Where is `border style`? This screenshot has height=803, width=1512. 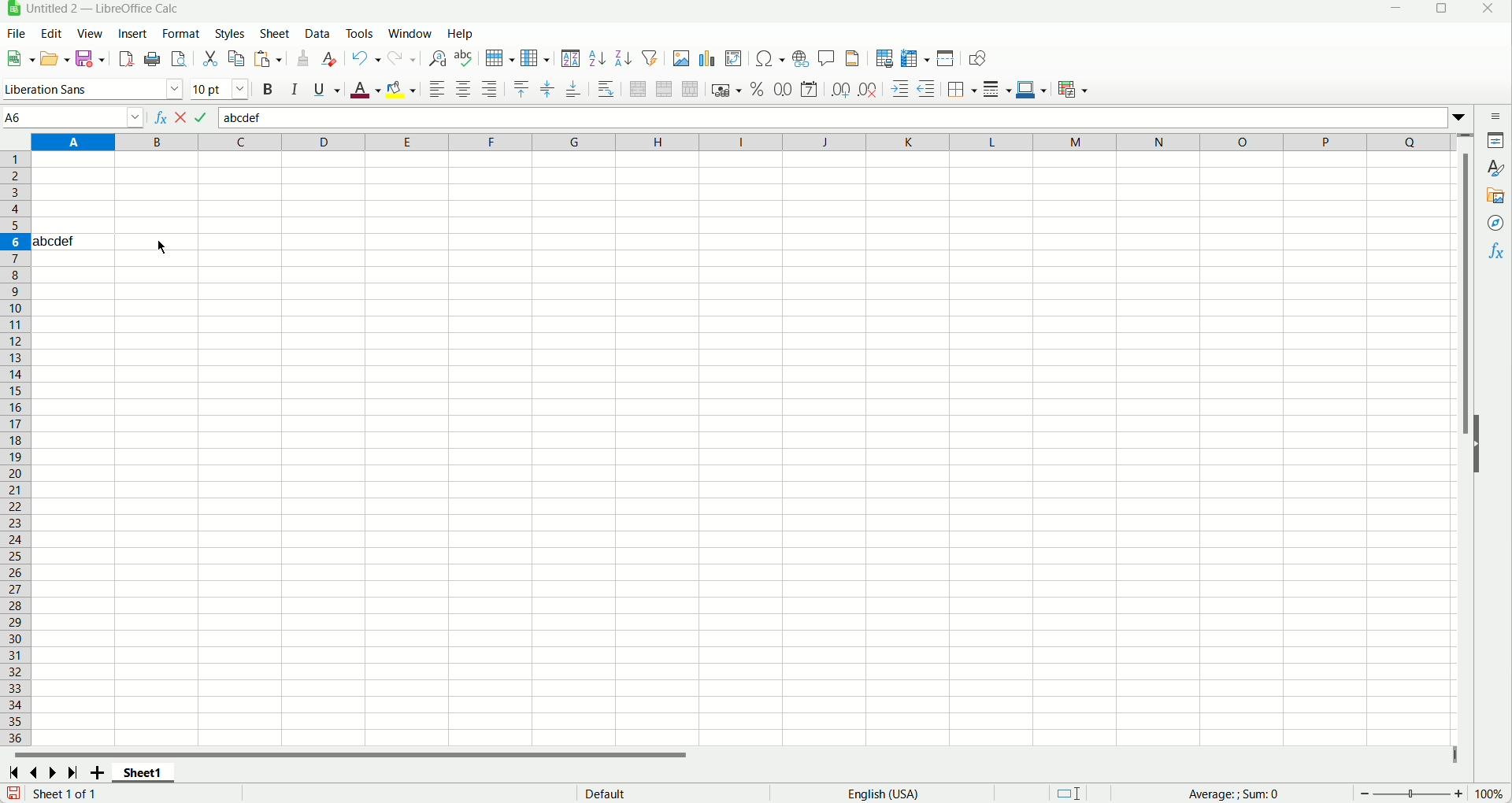
border style is located at coordinates (996, 90).